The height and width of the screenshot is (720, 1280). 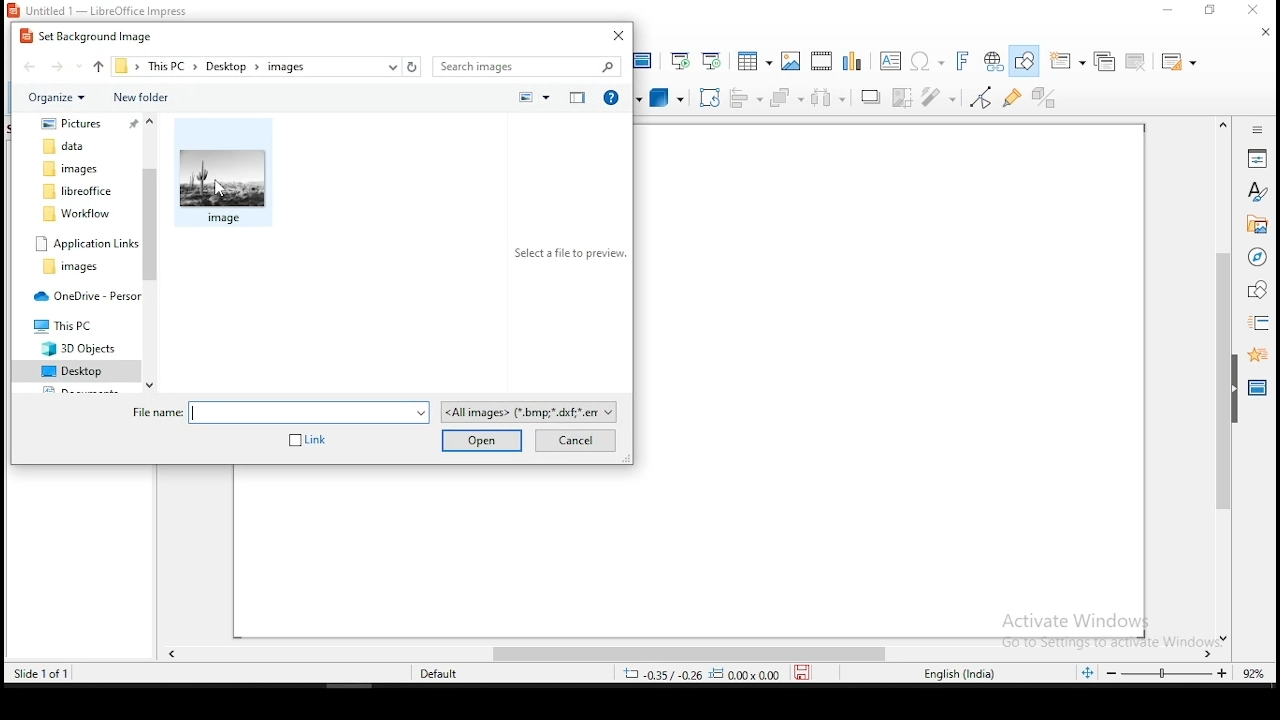 I want to click on Folders, so click(x=77, y=181).